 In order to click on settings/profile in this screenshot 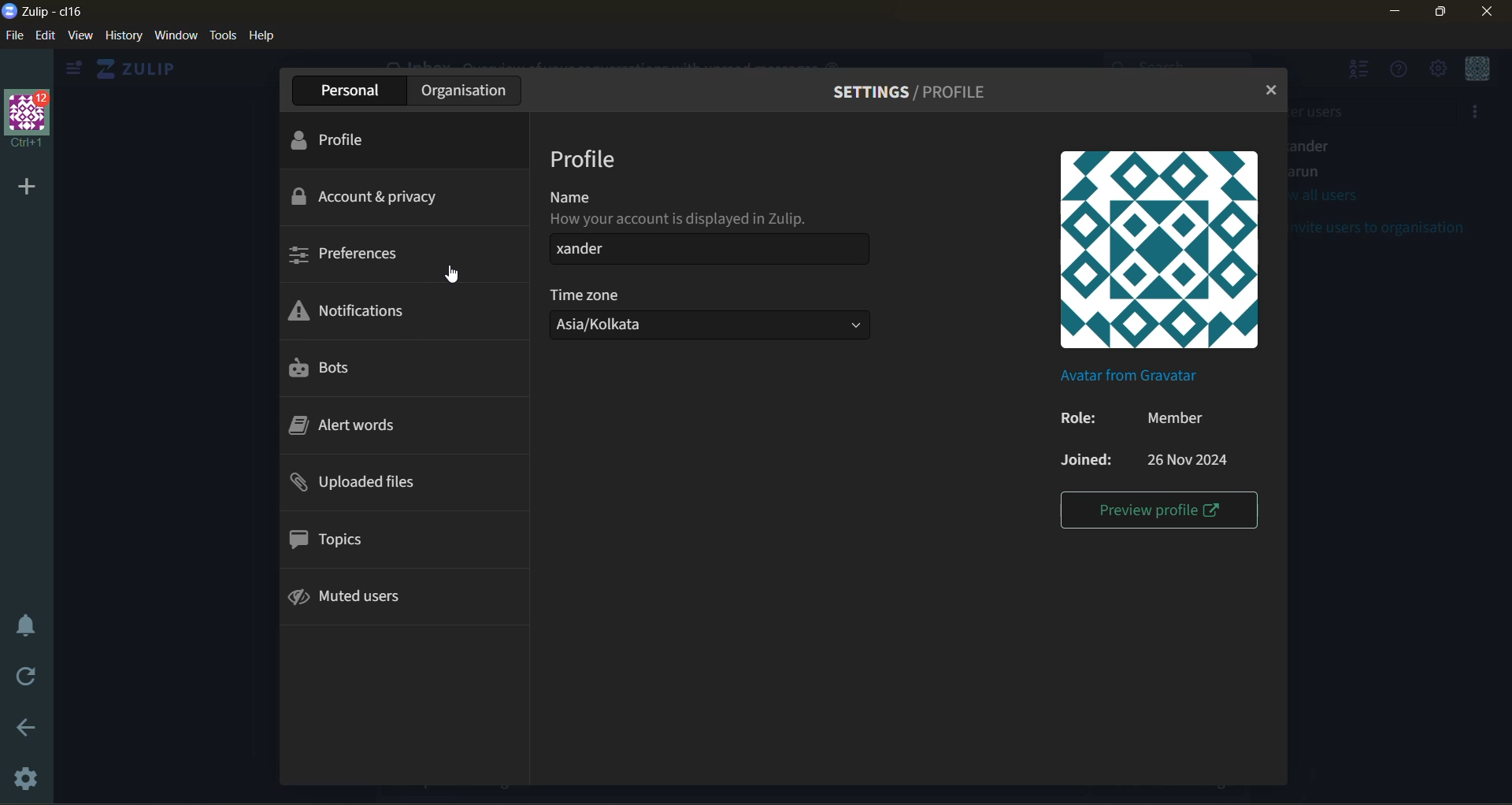, I will do `click(915, 95)`.